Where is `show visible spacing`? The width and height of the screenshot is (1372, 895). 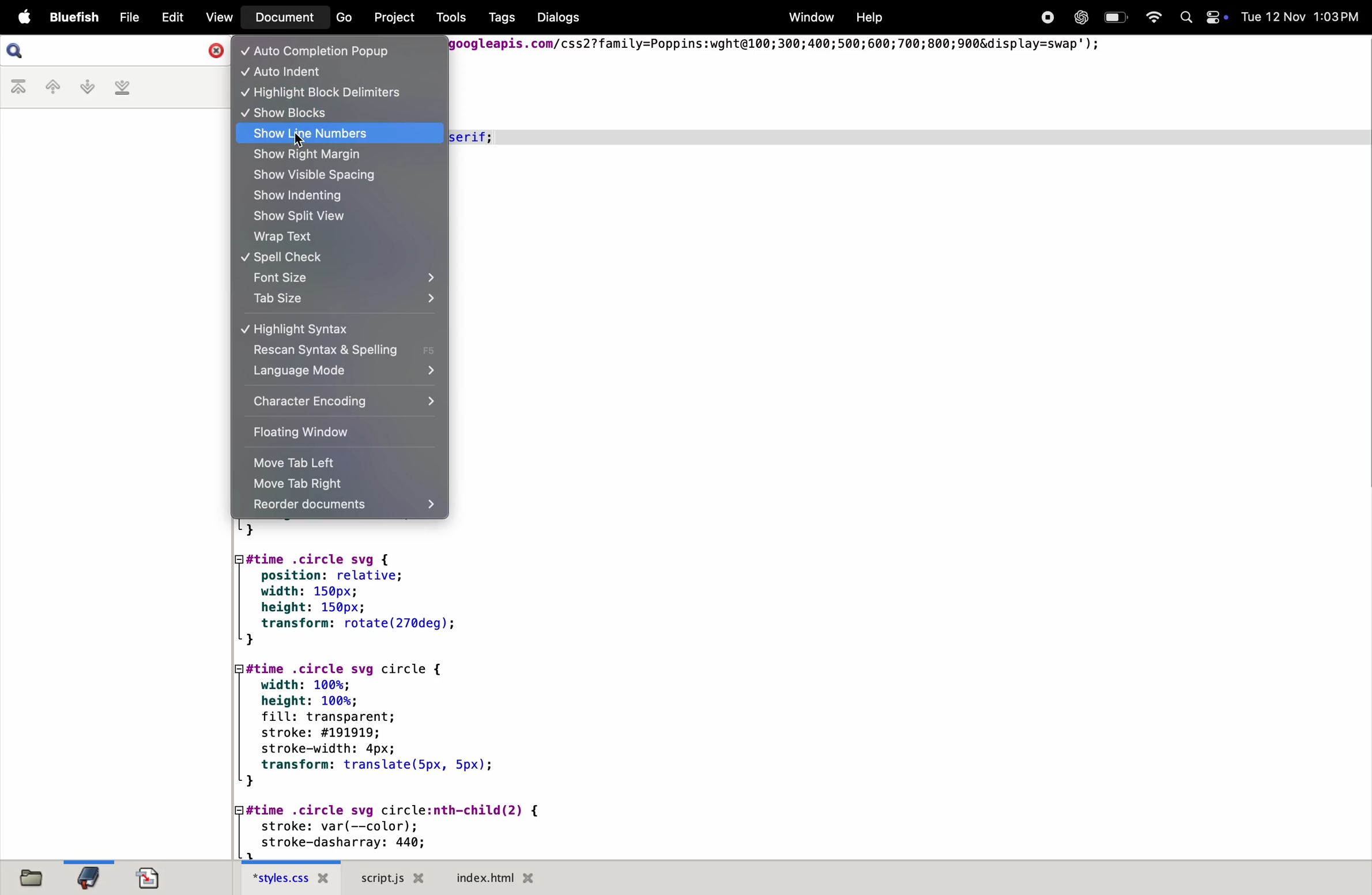
show visible spacing is located at coordinates (338, 176).